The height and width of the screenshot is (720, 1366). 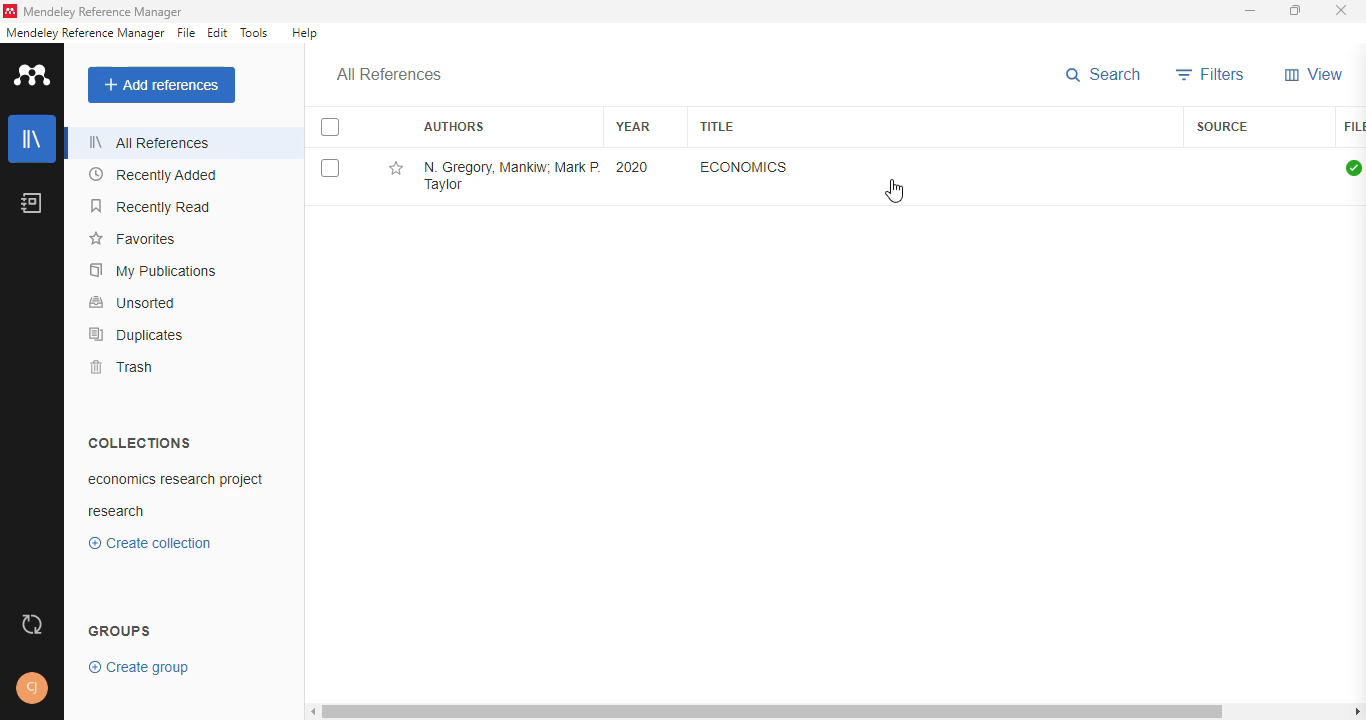 I want to click on search, so click(x=1104, y=75).